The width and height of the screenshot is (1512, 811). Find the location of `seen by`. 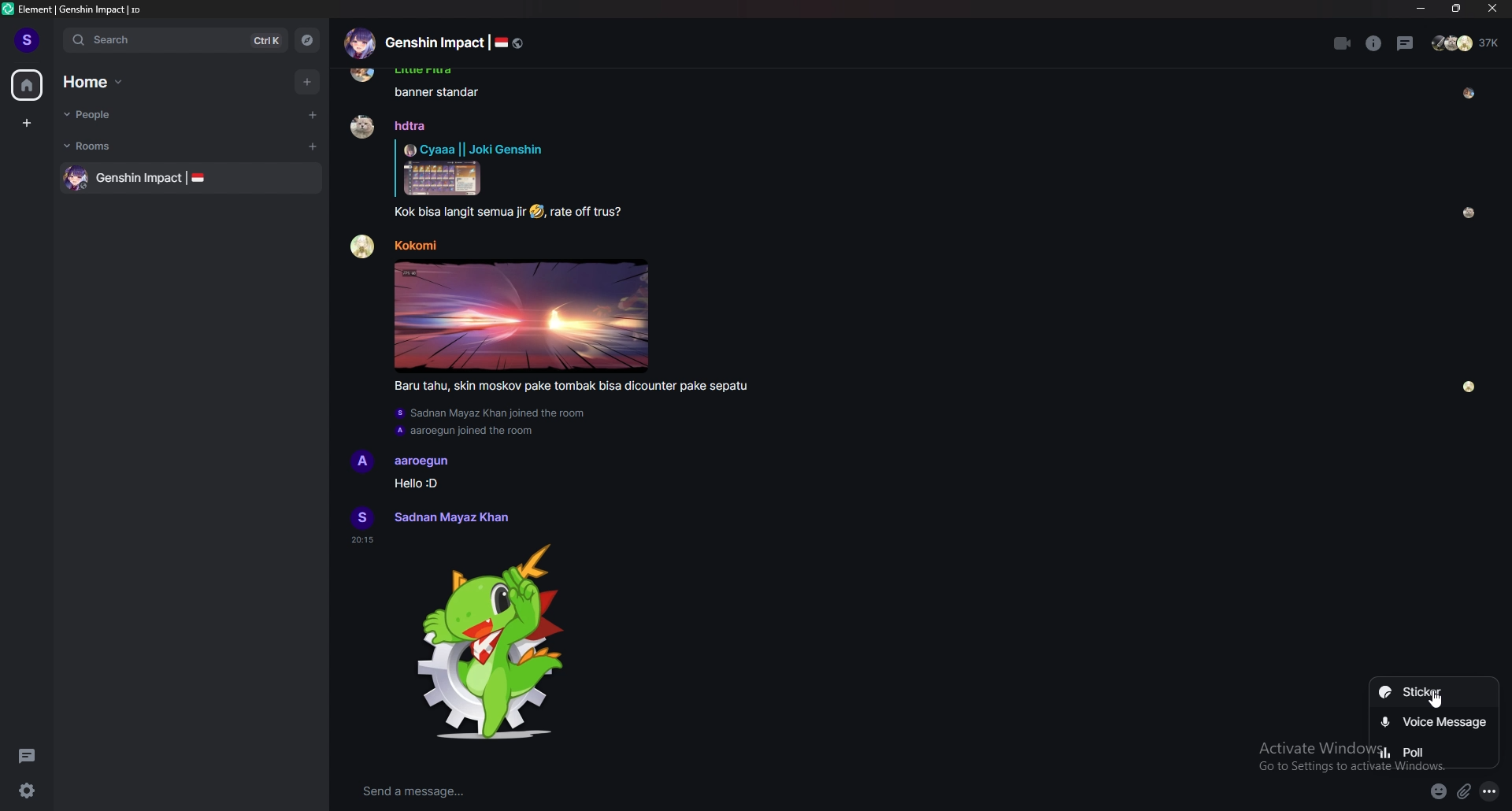

seen by is located at coordinates (1469, 213).